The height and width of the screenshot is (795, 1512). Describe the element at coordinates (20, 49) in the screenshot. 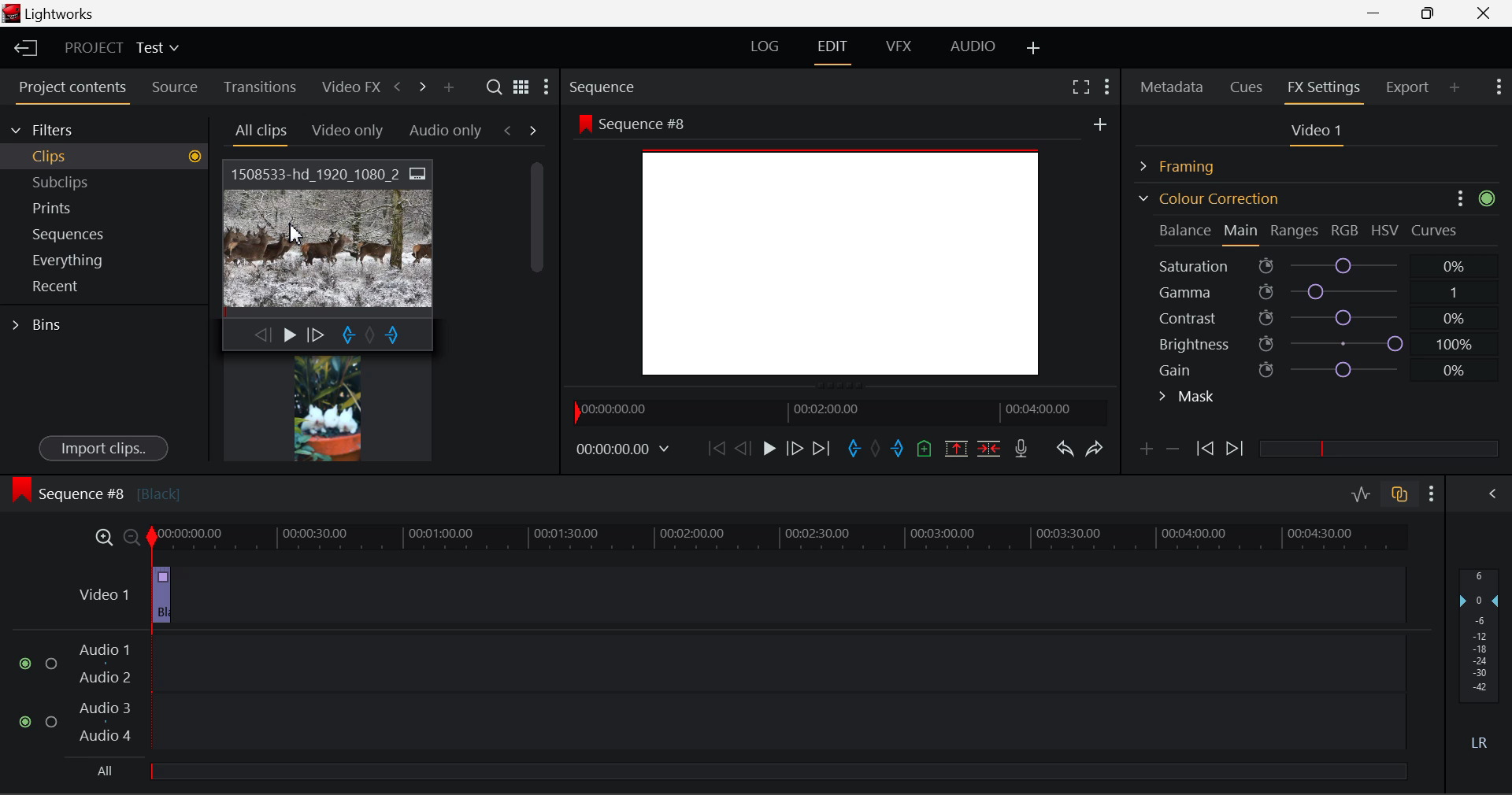

I see `Back to Homepage` at that location.